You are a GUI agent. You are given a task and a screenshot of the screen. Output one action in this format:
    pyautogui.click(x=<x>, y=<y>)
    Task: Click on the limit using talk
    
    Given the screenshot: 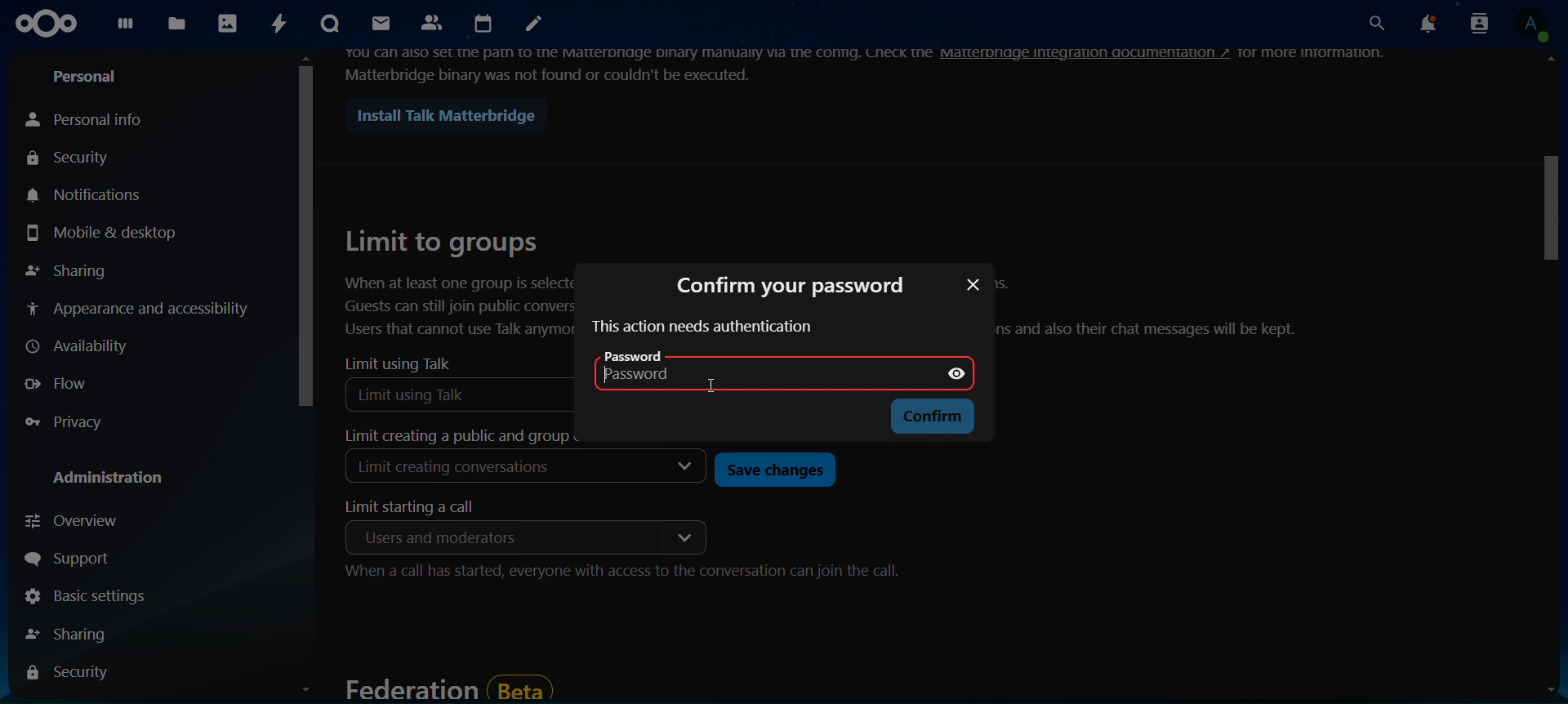 What is the action you would take?
    pyautogui.click(x=399, y=363)
    